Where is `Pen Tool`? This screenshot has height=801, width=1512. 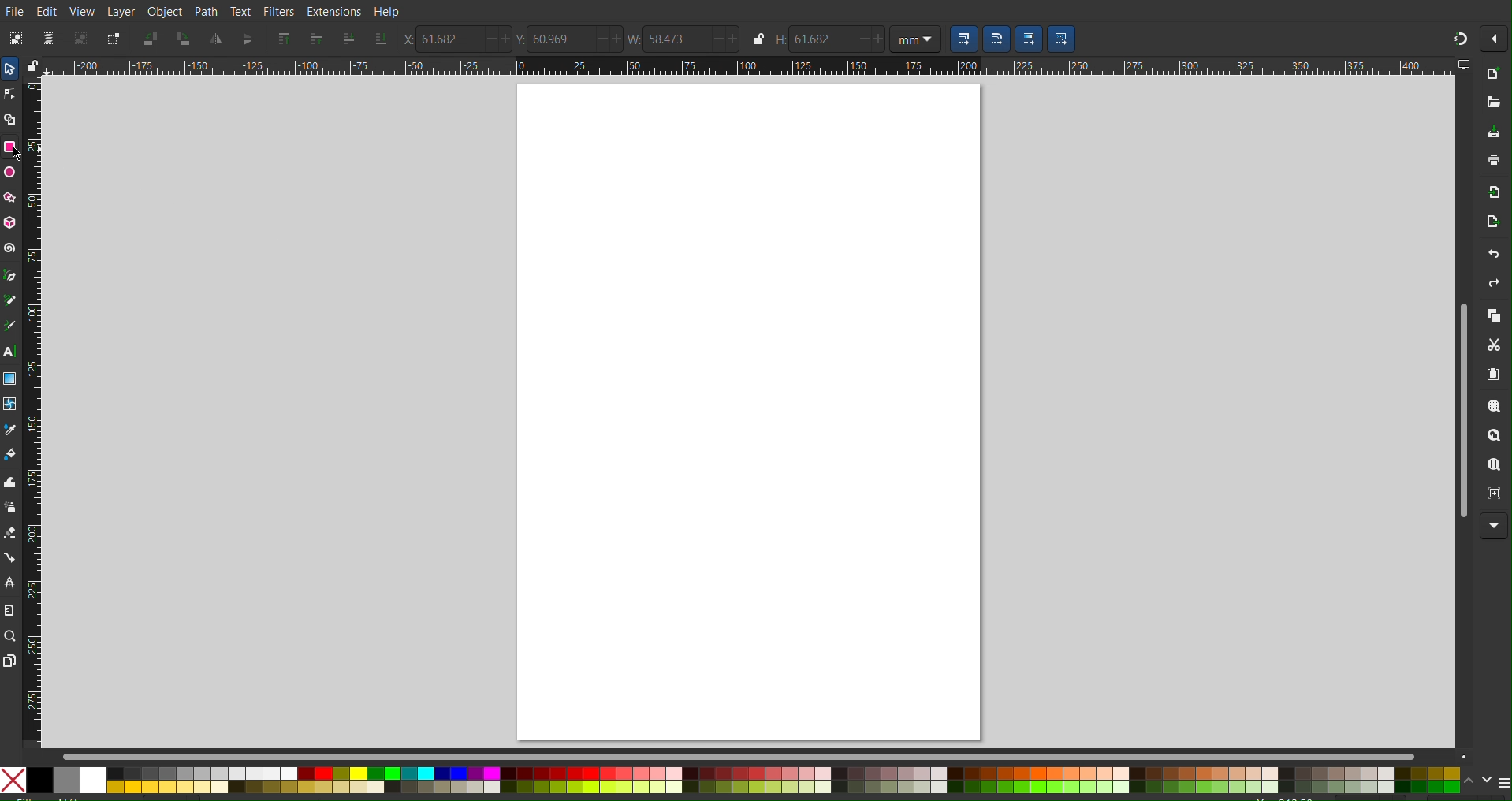
Pen Tool is located at coordinates (9, 274).